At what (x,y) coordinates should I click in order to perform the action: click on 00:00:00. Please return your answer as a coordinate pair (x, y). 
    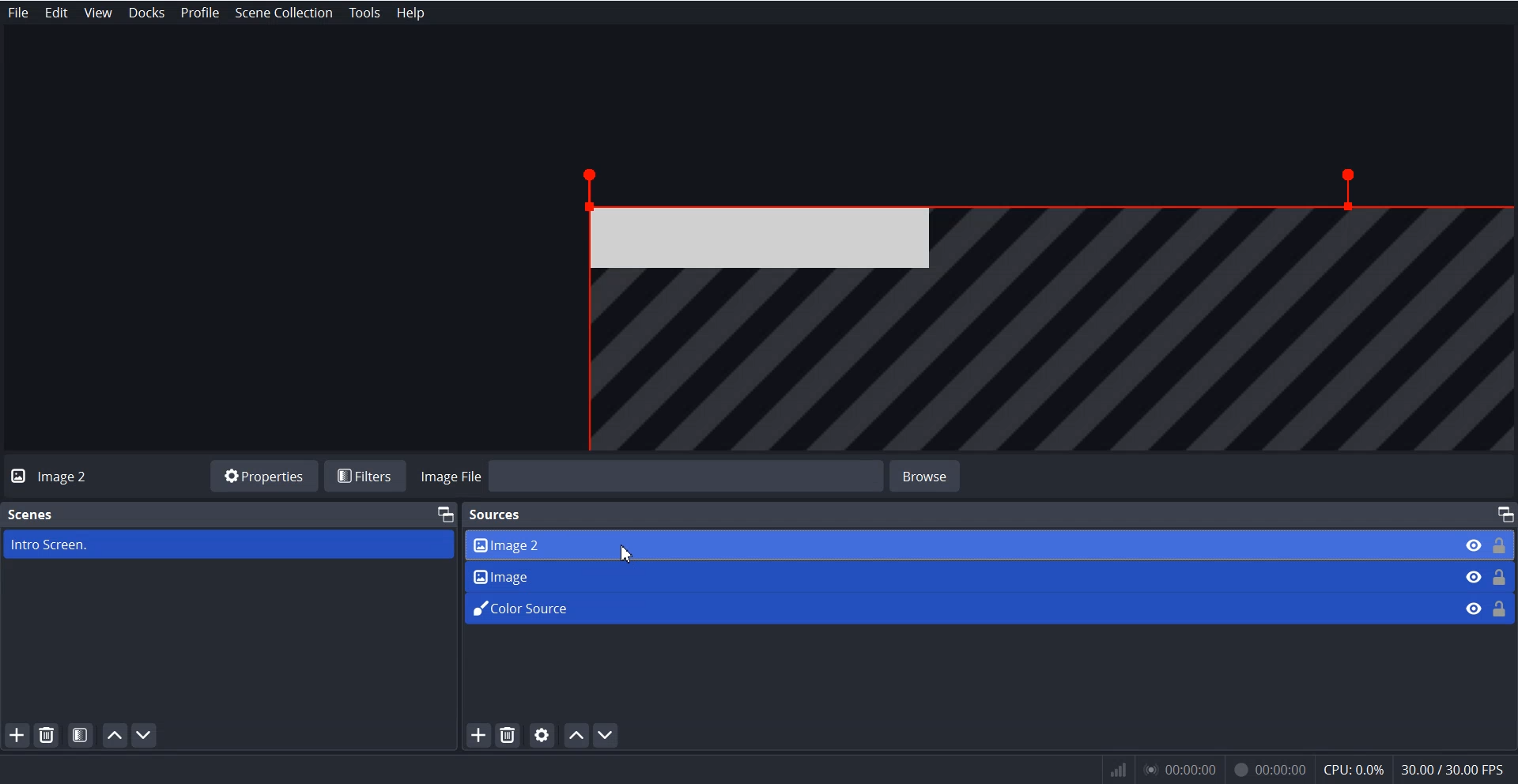
    Looking at the image, I should click on (1183, 770).